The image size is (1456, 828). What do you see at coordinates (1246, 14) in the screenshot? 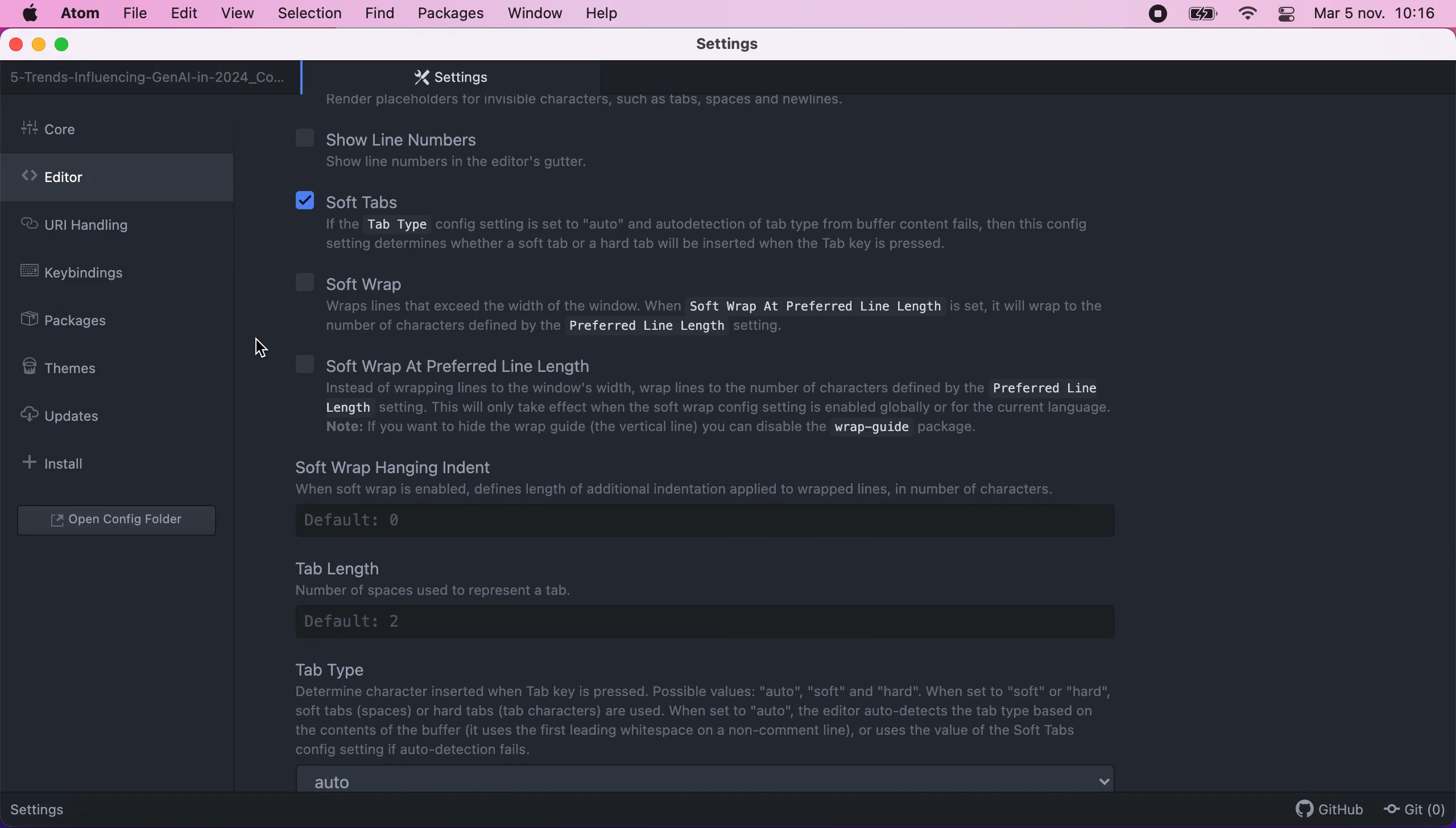
I see `wifi` at bounding box center [1246, 14].